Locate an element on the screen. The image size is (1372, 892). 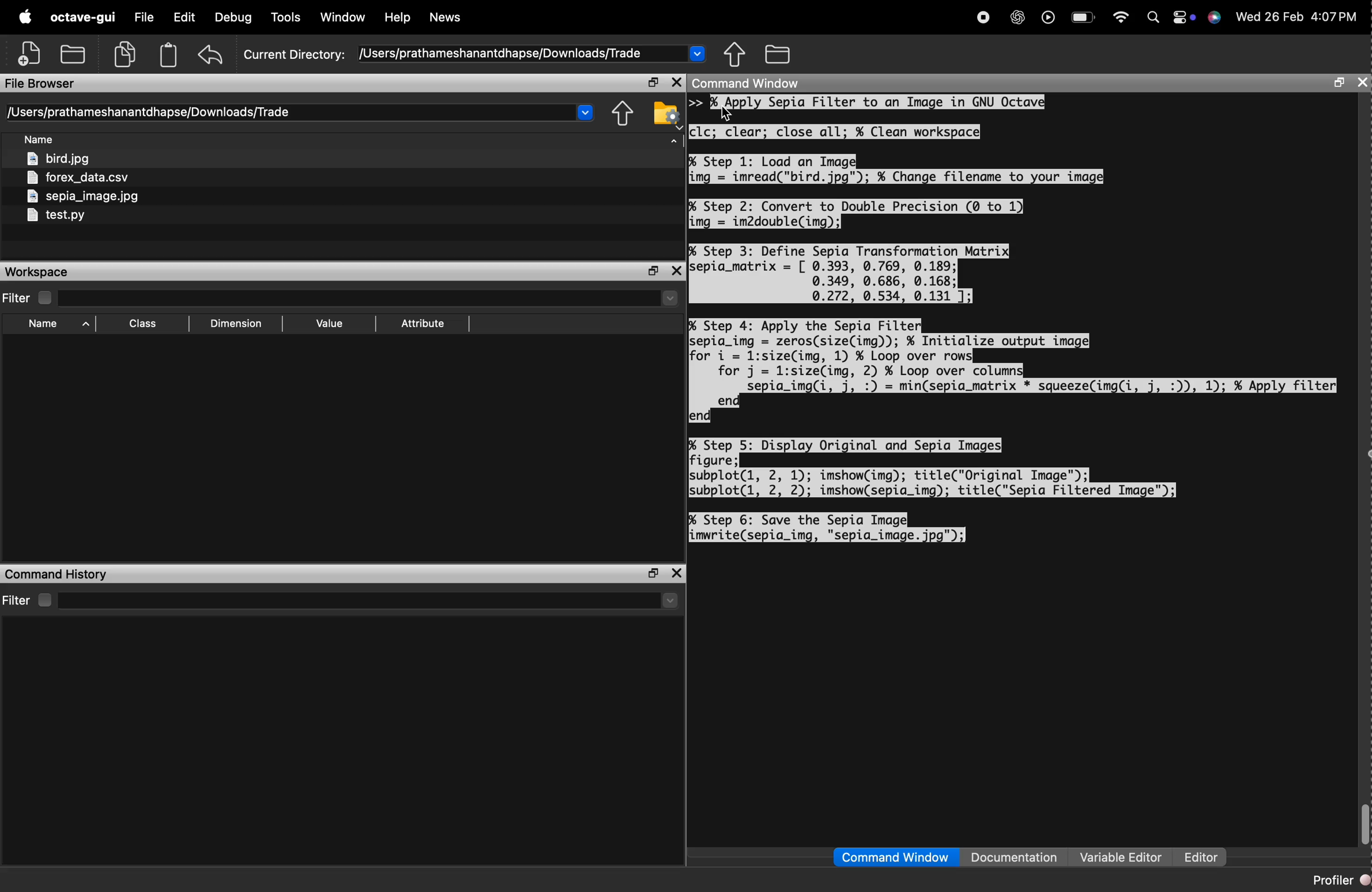
close is located at coordinates (1362, 82).